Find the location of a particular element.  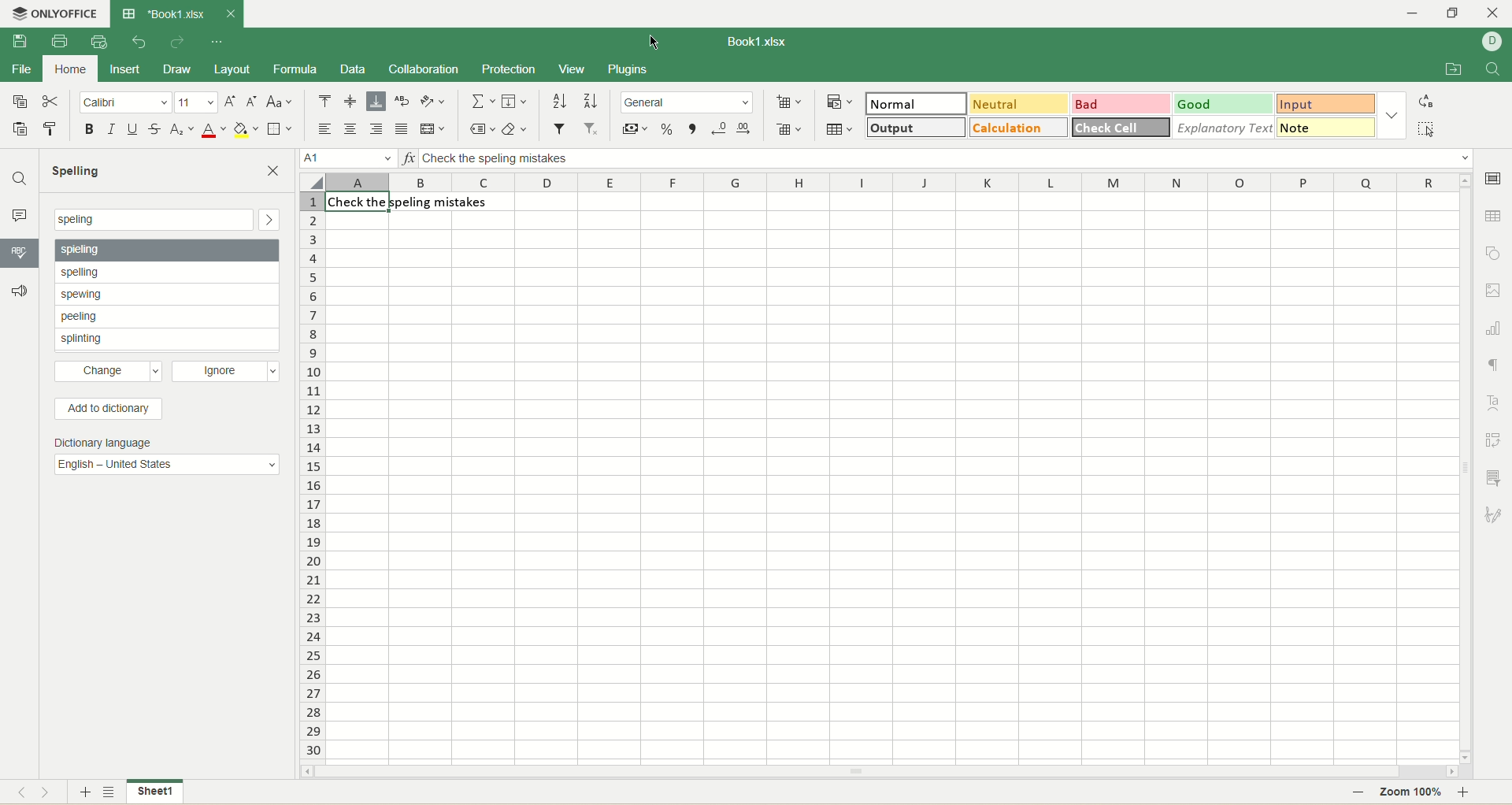

align top is located at coordinates (324, 99).